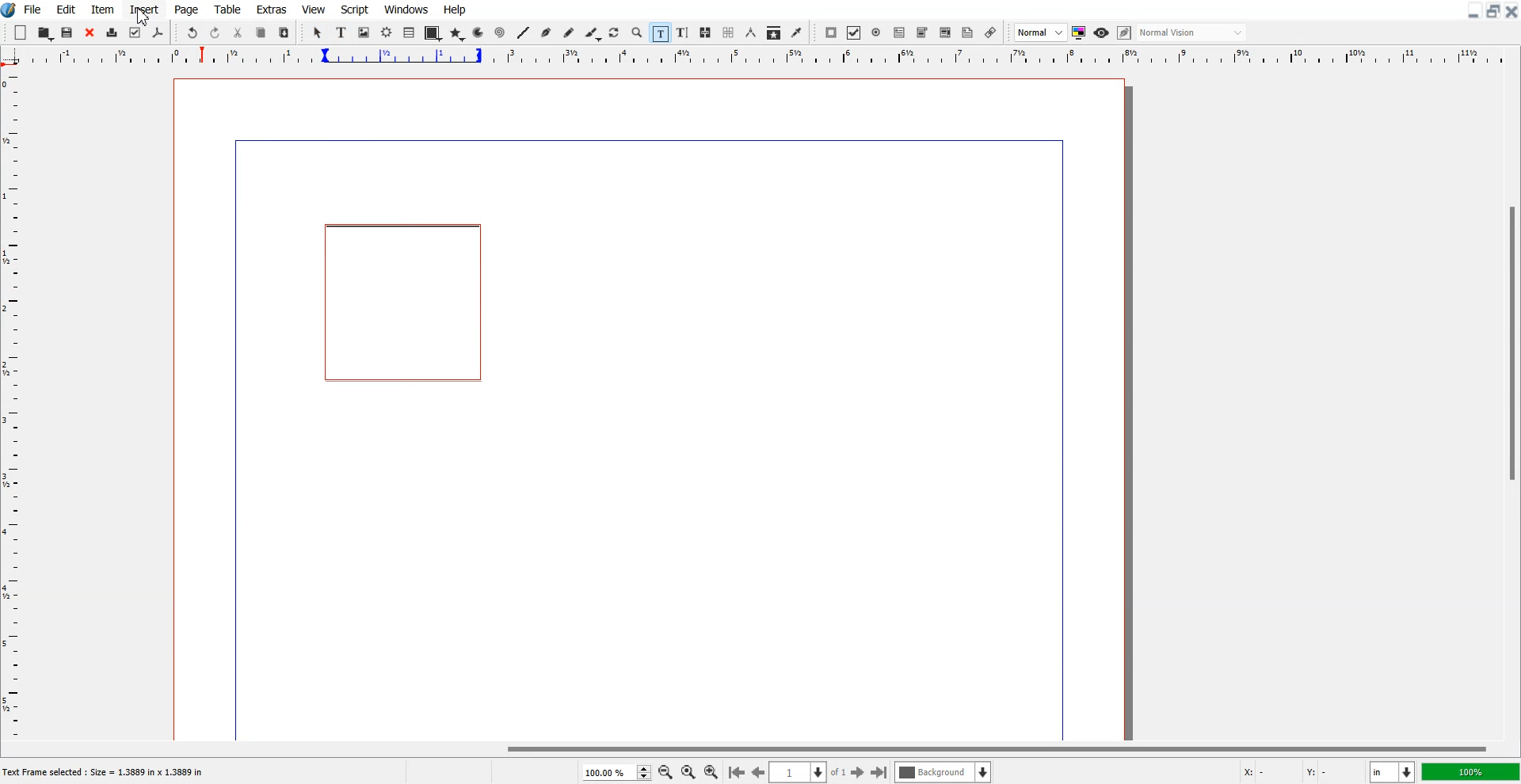 The image size is (1521, 784). What do you see at coordinates (410, 32) in the screenshot?
I see `Table` at bounding box center [410, 32].